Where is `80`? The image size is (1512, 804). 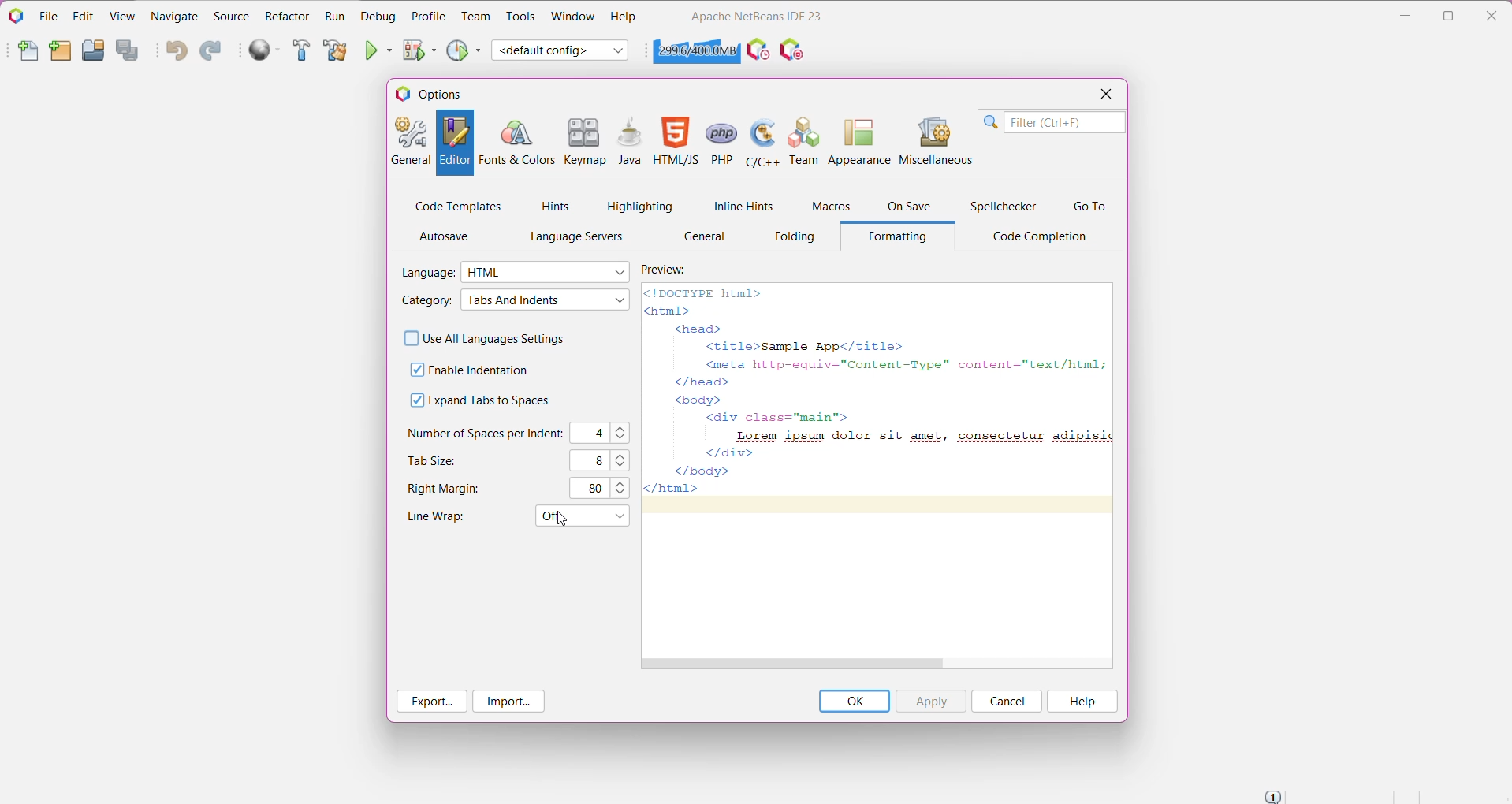
80 is located at coordinates (593, 488).